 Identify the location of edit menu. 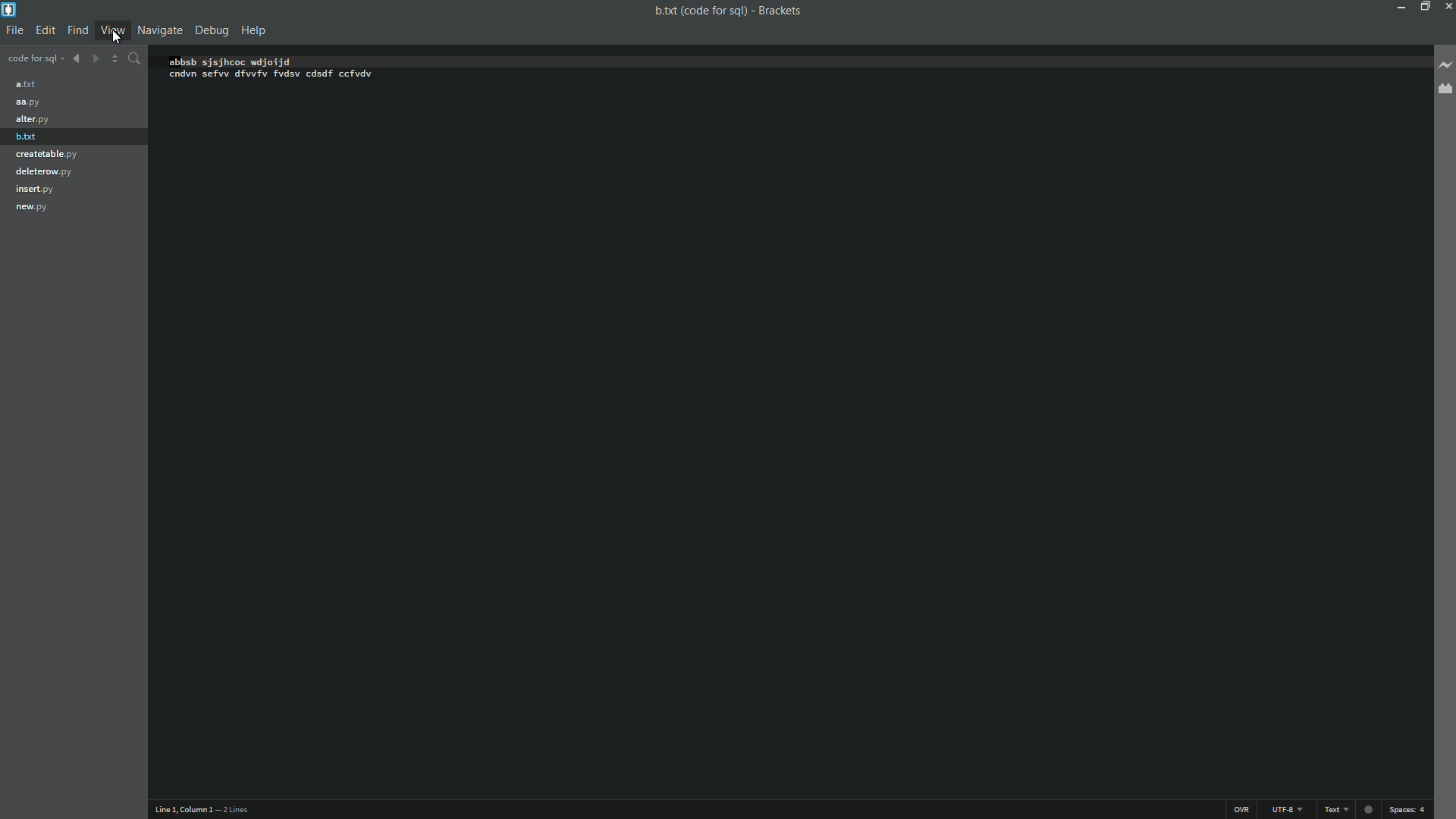
(45, 30).